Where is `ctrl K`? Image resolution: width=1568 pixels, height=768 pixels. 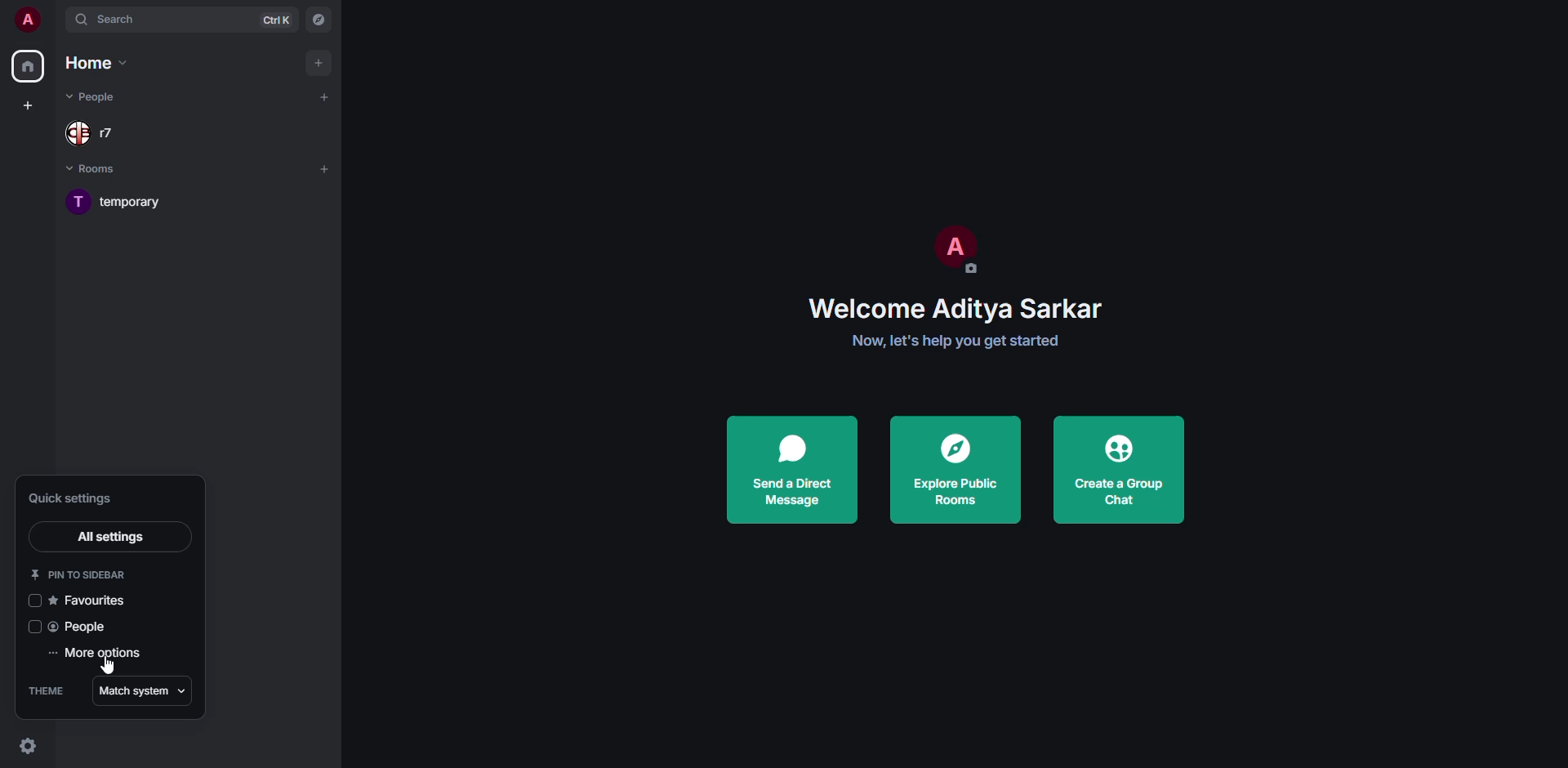 ctrl K is located at coordinates (275, 19).